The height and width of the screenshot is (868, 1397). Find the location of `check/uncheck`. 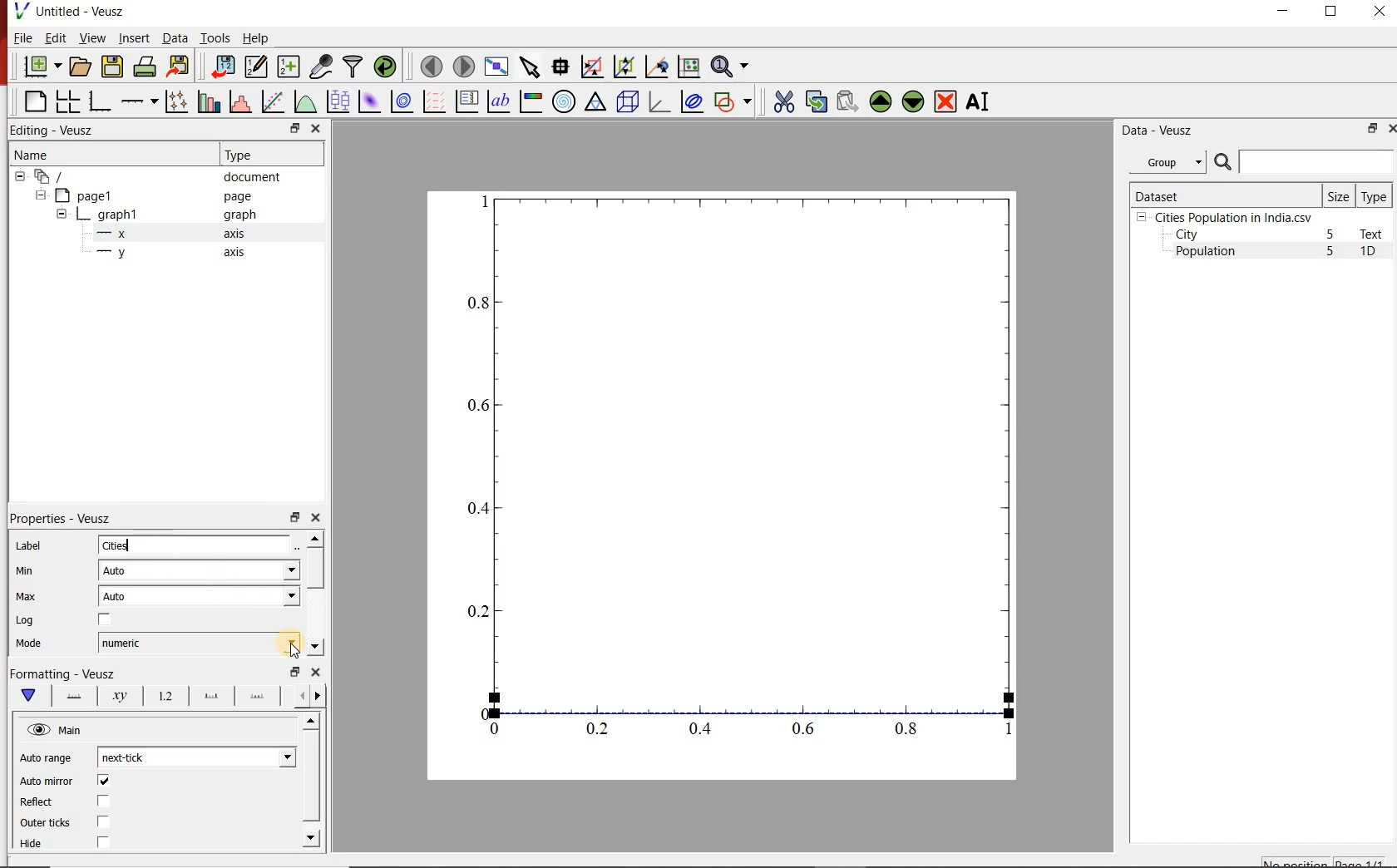

check/uncheck is located at coordinates (104, 801).